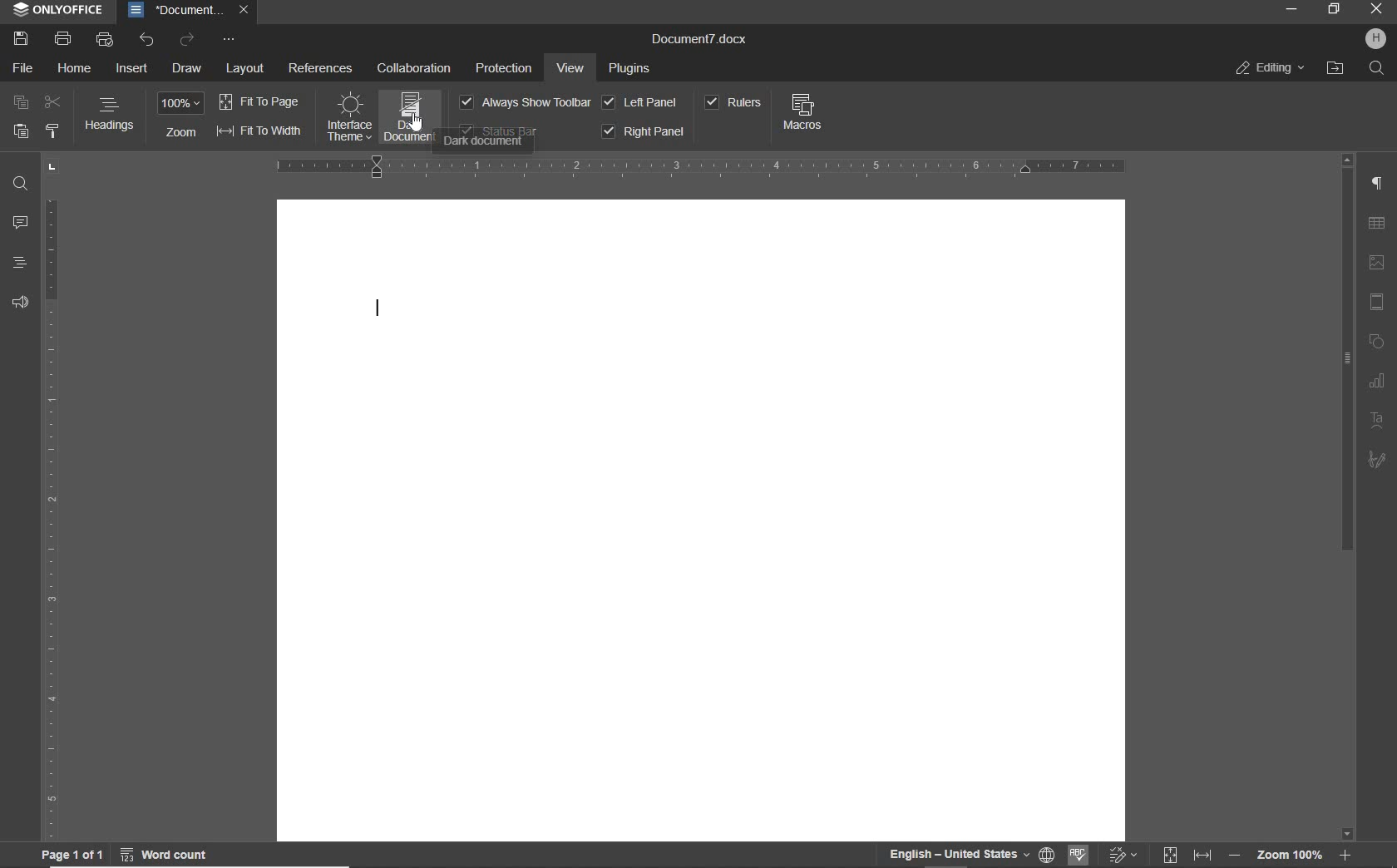 The height and width of the screenshot is (868, 1397). Describe the element at coordinates (1378, 421) in the screenshot. I see `TEXT ART` at that location.